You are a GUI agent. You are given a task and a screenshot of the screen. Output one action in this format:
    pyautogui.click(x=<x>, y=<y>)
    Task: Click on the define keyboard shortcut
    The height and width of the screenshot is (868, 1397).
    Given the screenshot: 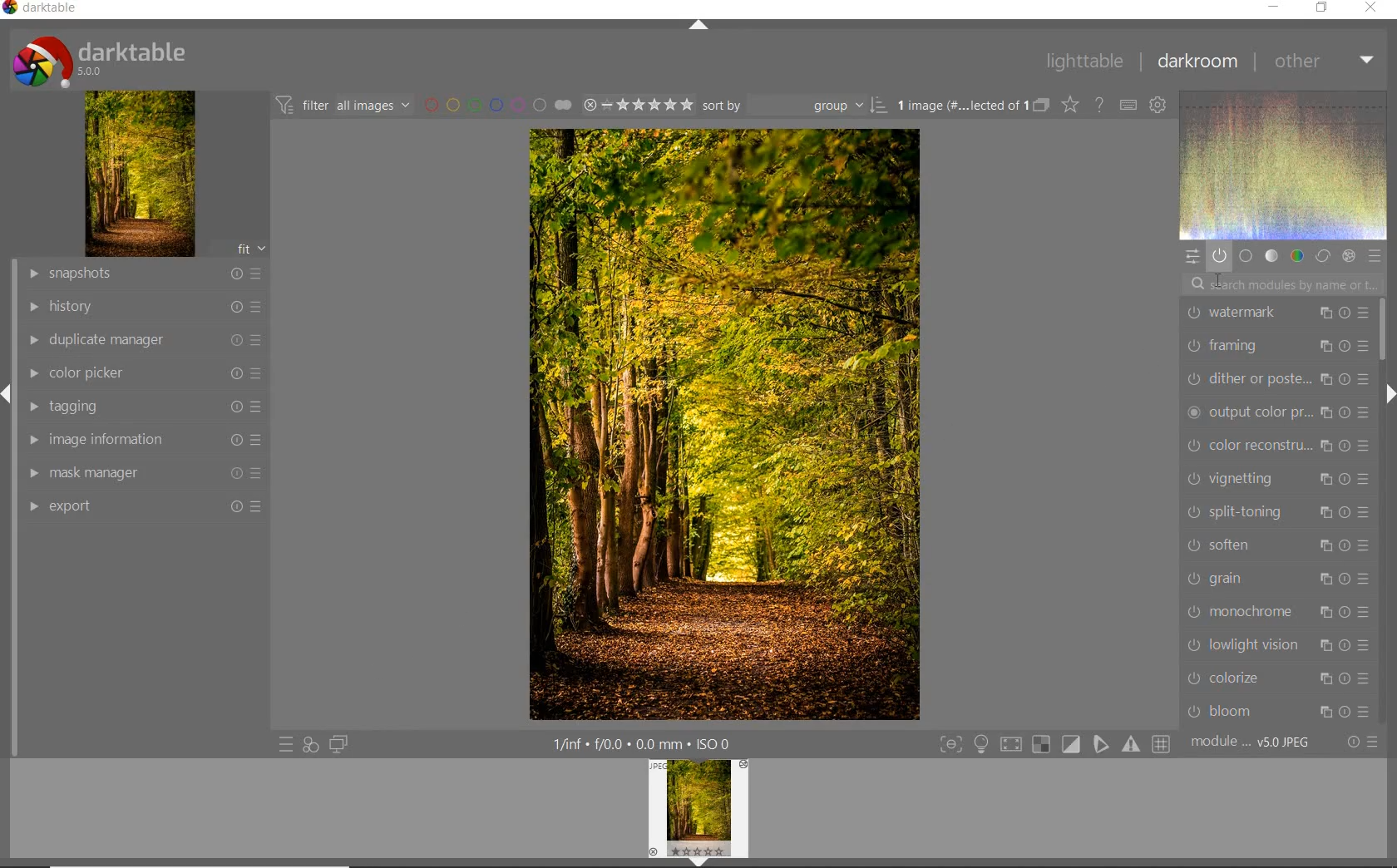 What is the action you would take?
    pyautogui.click(x=1128, y=106)
    